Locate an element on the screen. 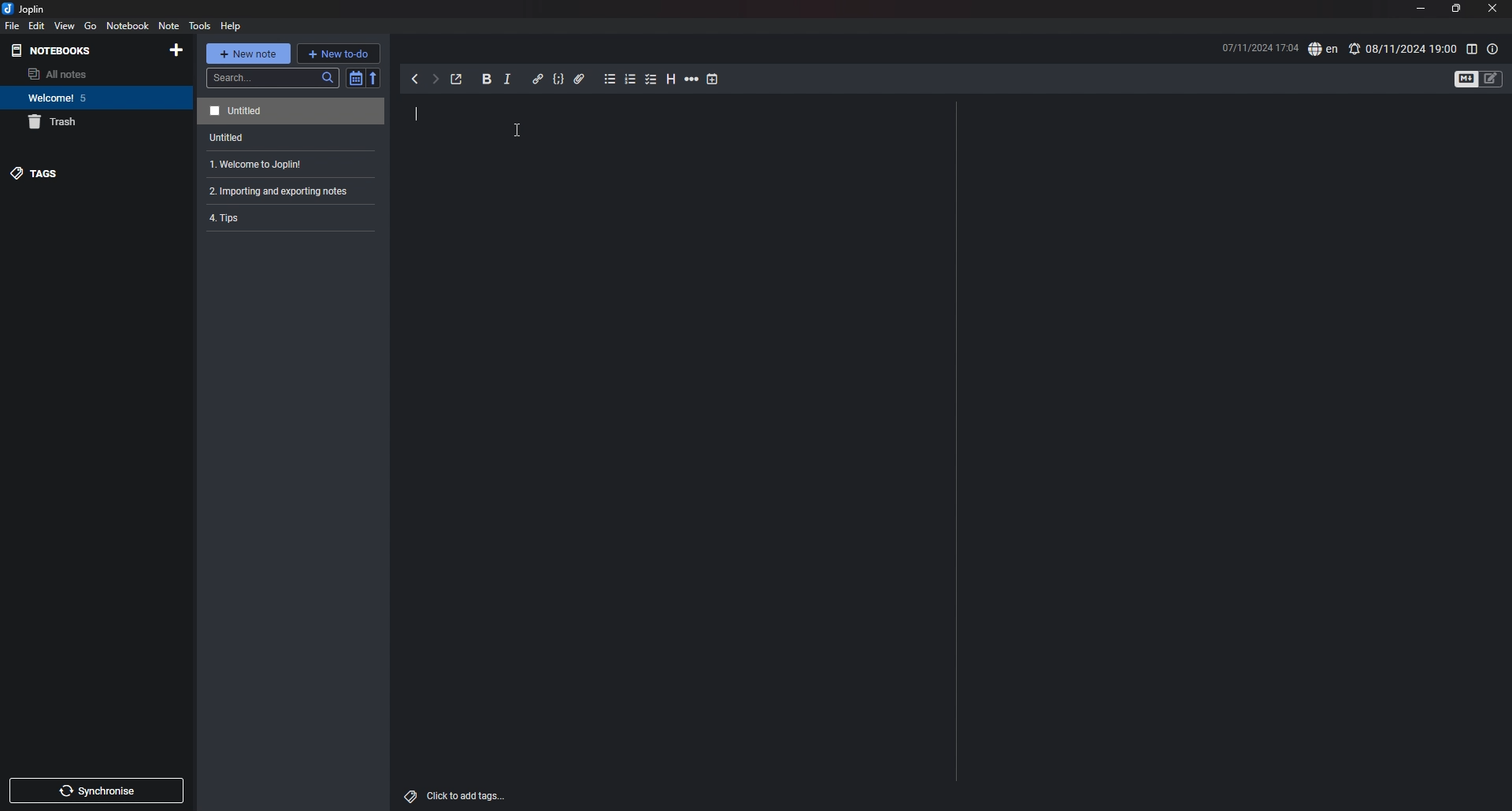 Image resolution: width=1512 pixels, height=811 pixels. 4. Tips is located at coordinates (274, 220).